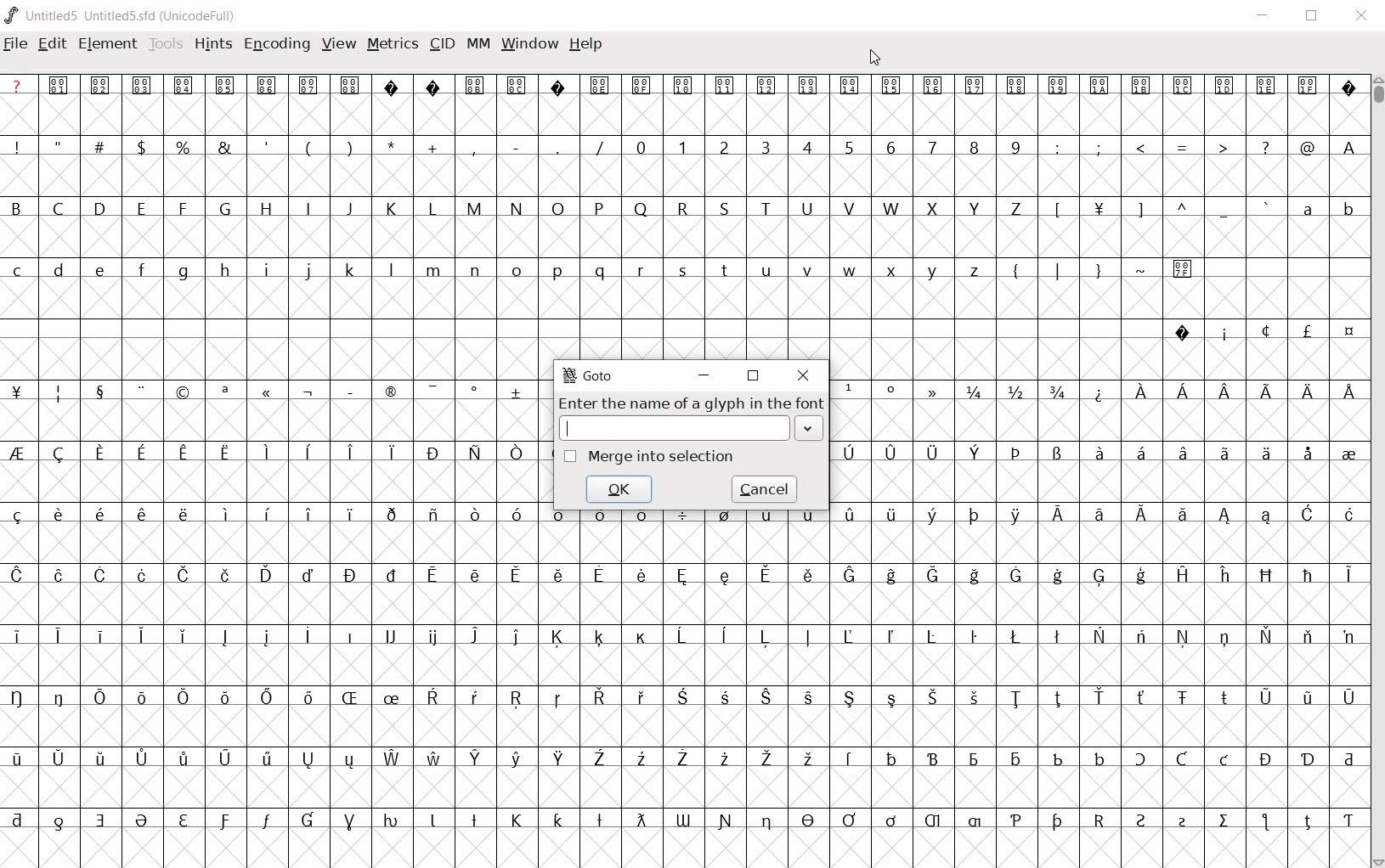 Image resolution: width=1385 pixels, height=868 pixels. What do you see at coordinates (562, 519) in the screenshot?
I see `Symbol` at bounding box center [562, 519].